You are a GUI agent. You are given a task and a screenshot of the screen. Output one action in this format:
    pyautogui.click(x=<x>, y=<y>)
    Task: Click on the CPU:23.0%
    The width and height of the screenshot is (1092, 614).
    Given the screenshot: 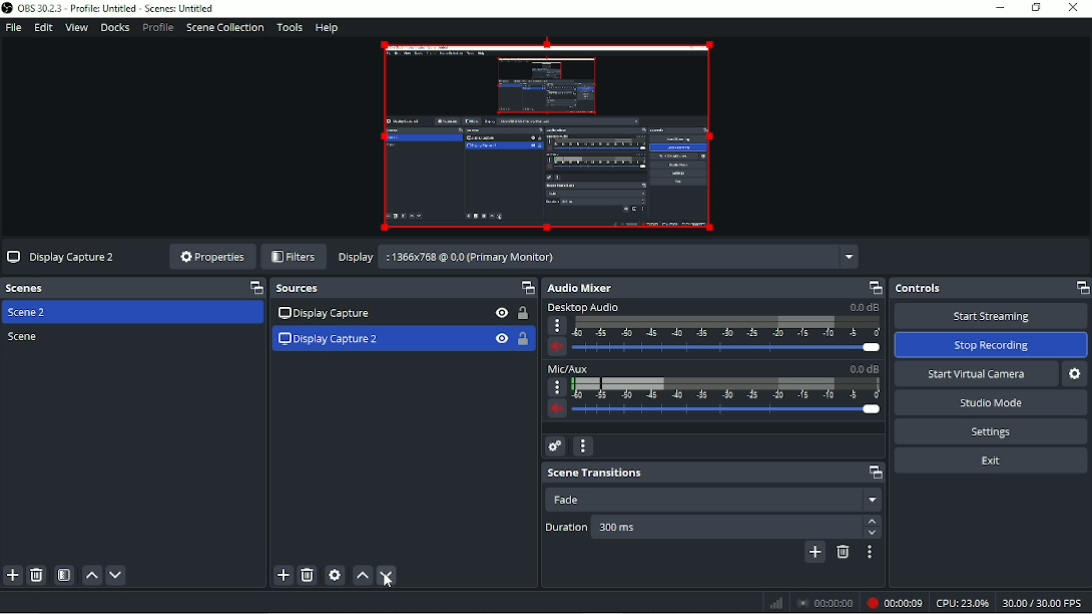 What is the action you would take?
    pyautogui.click(x=963, y=604)
    